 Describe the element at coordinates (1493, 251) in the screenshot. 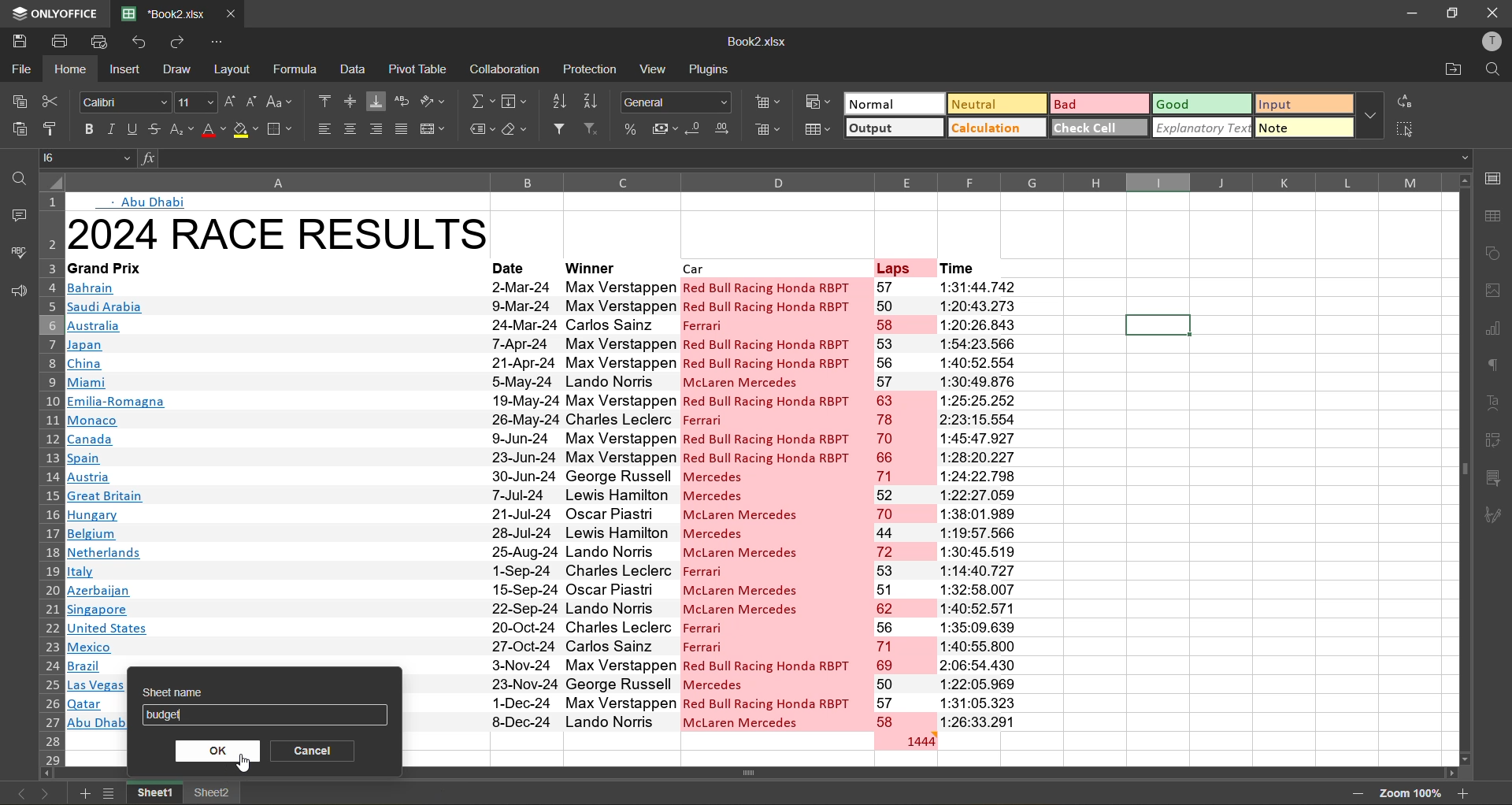

I see `shapes` at that location.